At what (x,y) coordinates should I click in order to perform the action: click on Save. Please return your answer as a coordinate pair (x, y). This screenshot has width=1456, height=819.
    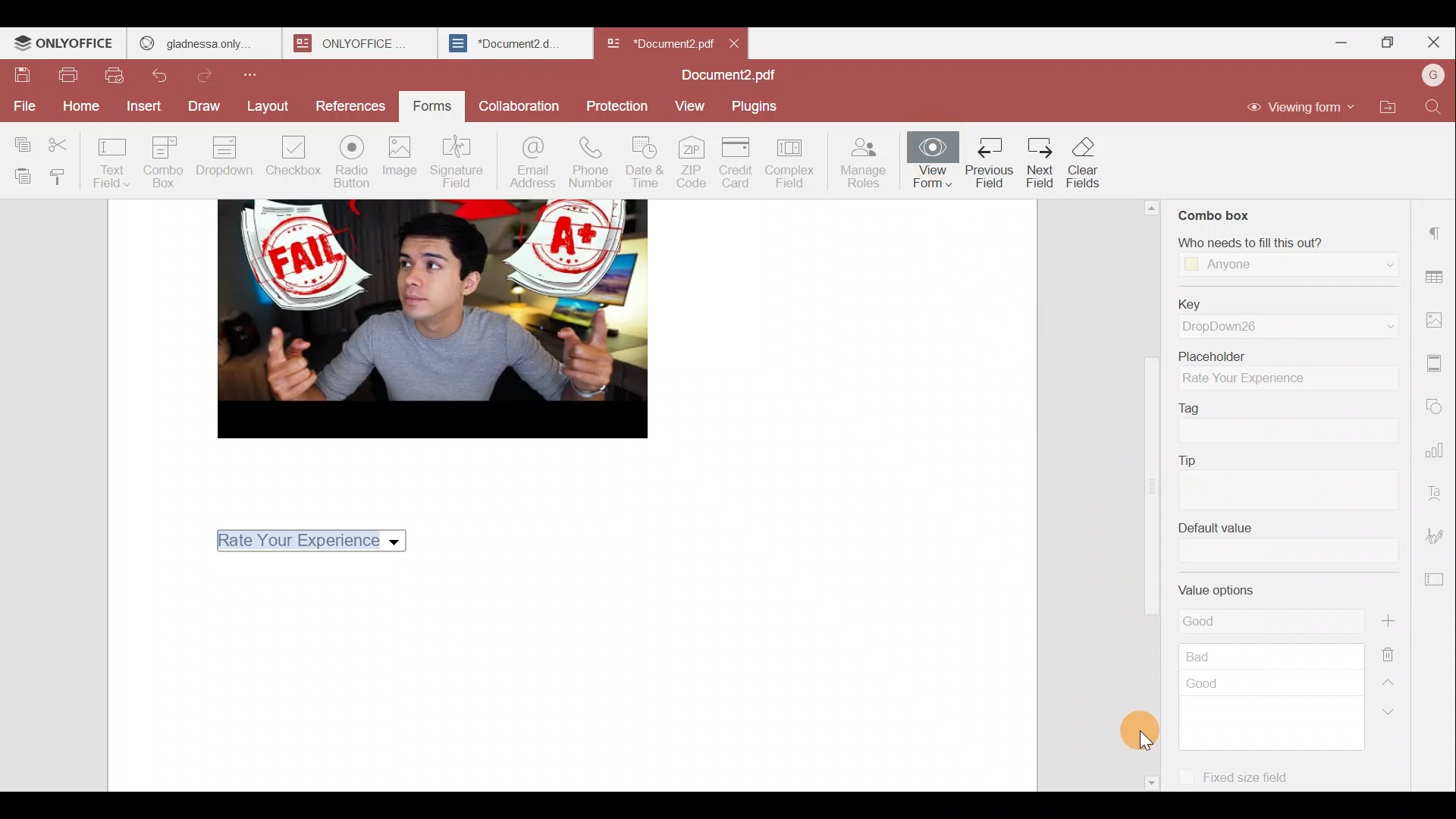
    Looking at the image, I should click on (23, 76).